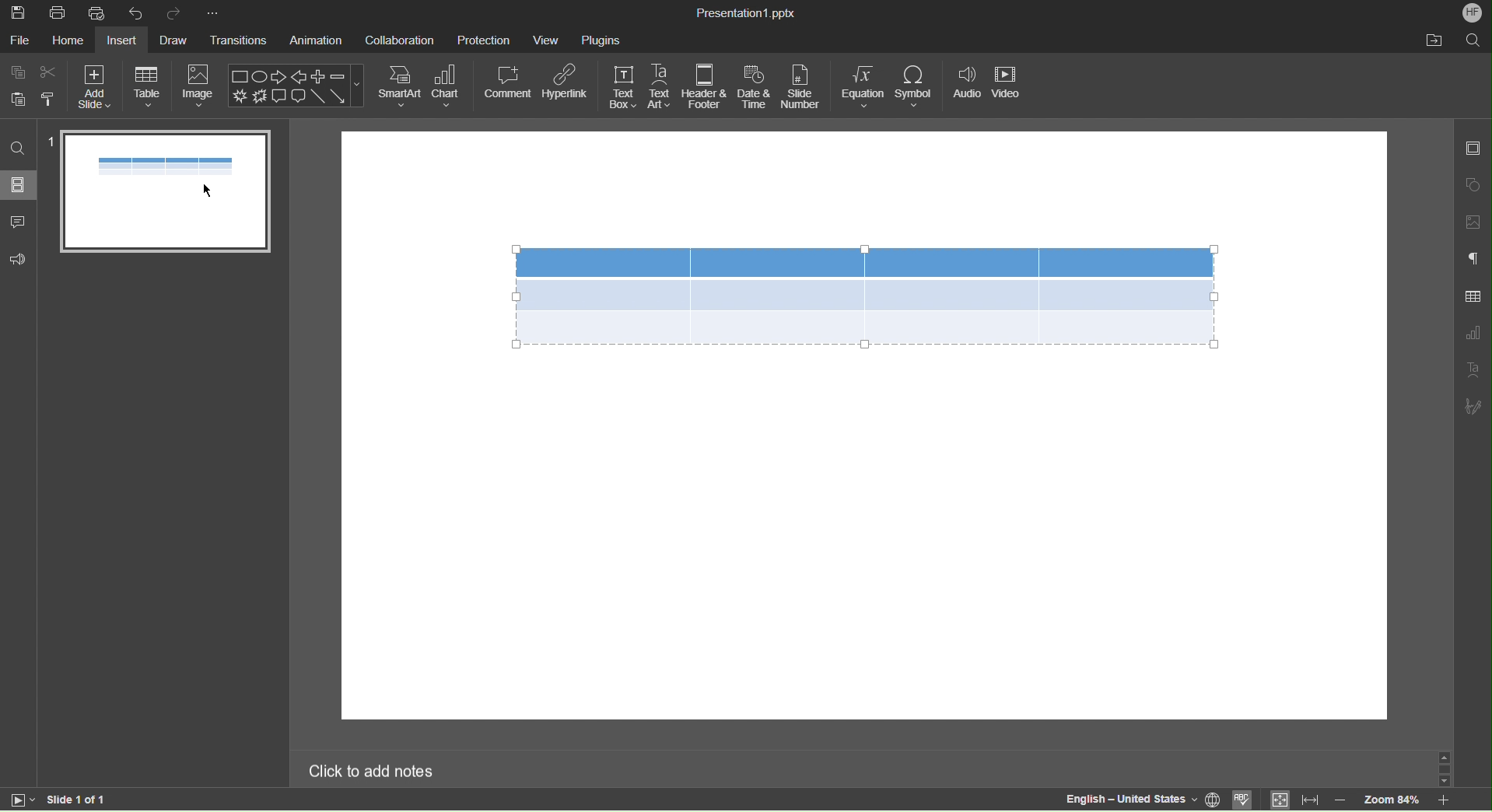 The image size is (1492, 812). I want to click on Account, so click(1473, 13).